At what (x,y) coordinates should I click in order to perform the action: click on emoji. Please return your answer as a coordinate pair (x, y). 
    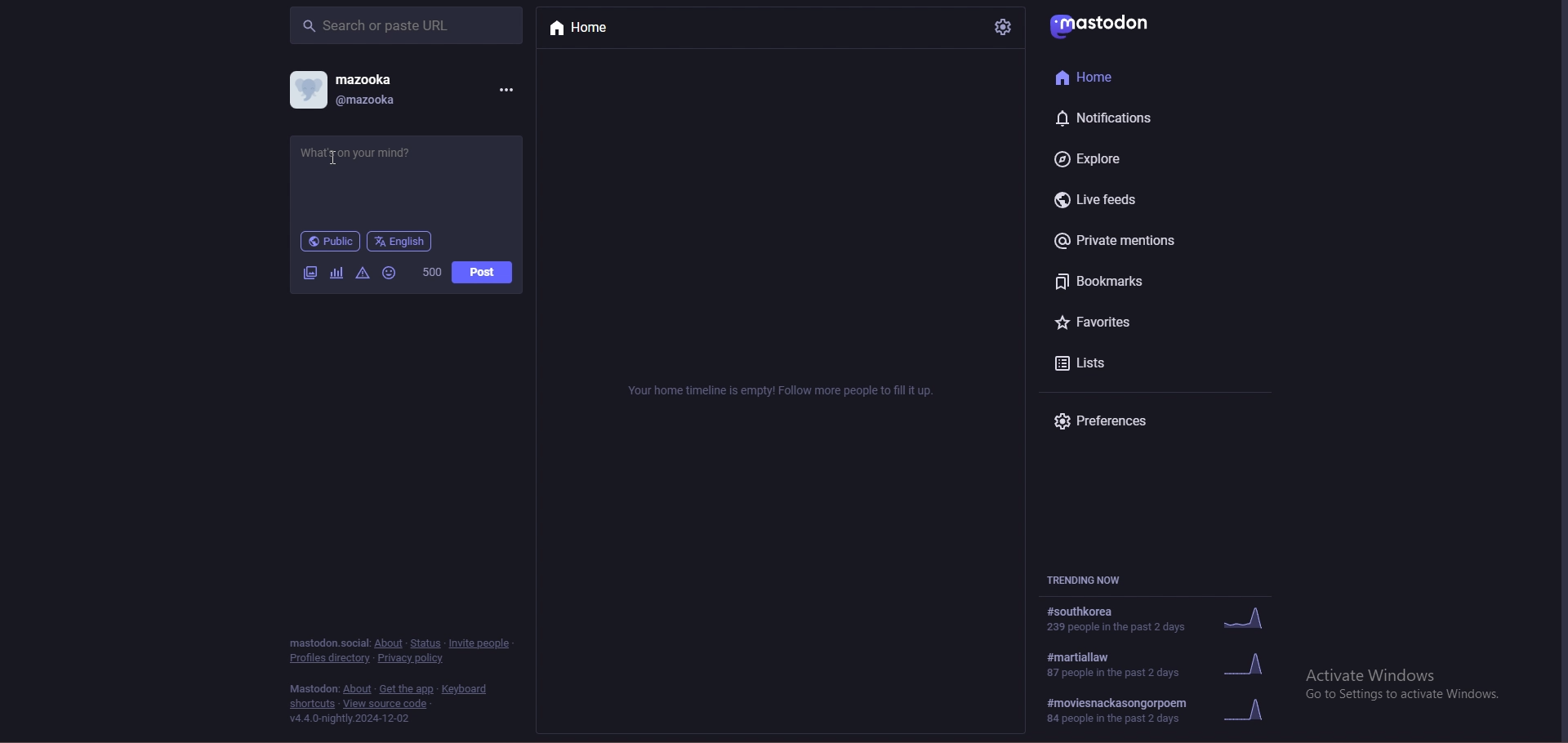
    Looking at the image, I should click on (389, 273).